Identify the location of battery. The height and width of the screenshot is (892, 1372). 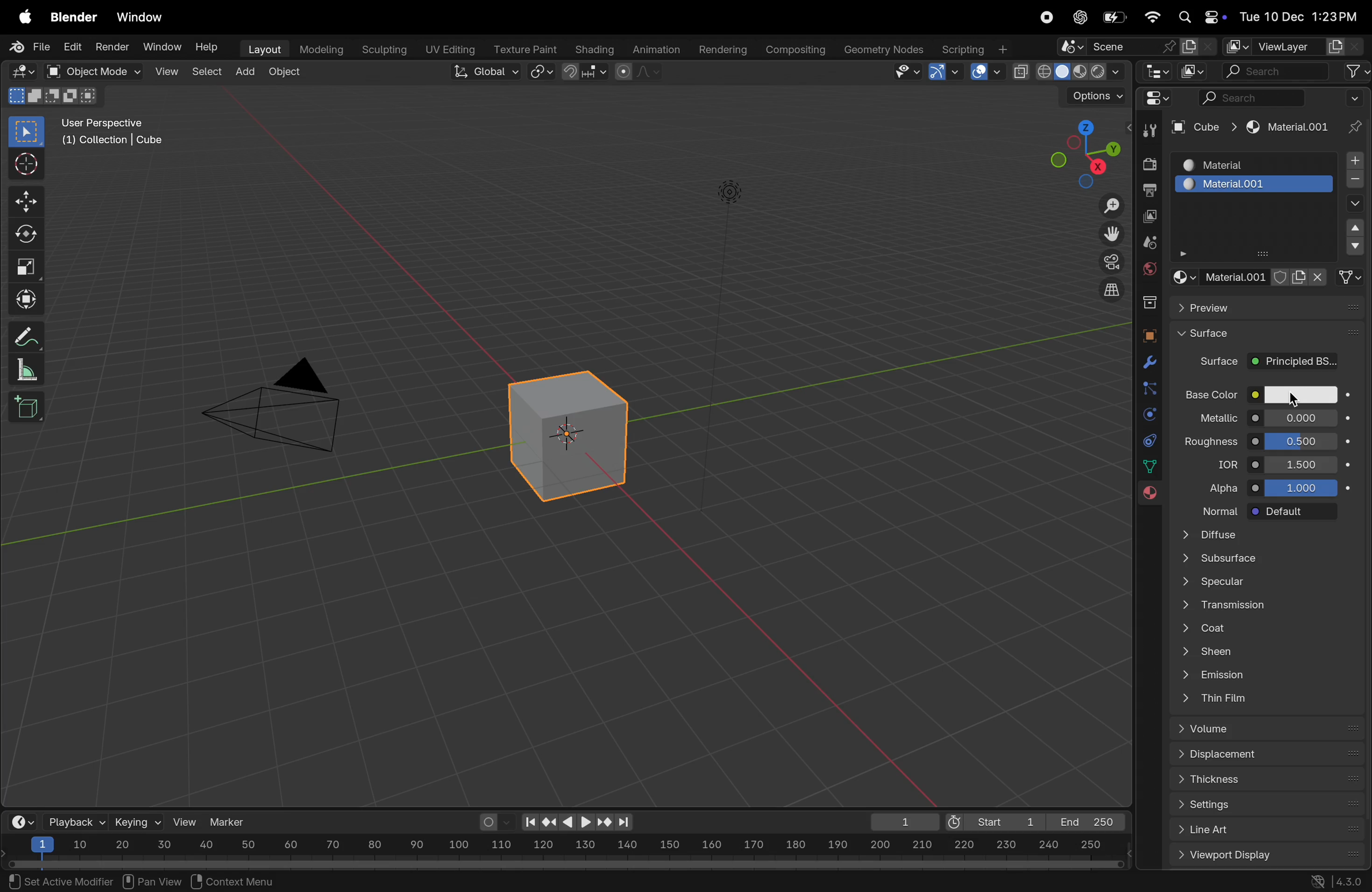
(1117, 17).